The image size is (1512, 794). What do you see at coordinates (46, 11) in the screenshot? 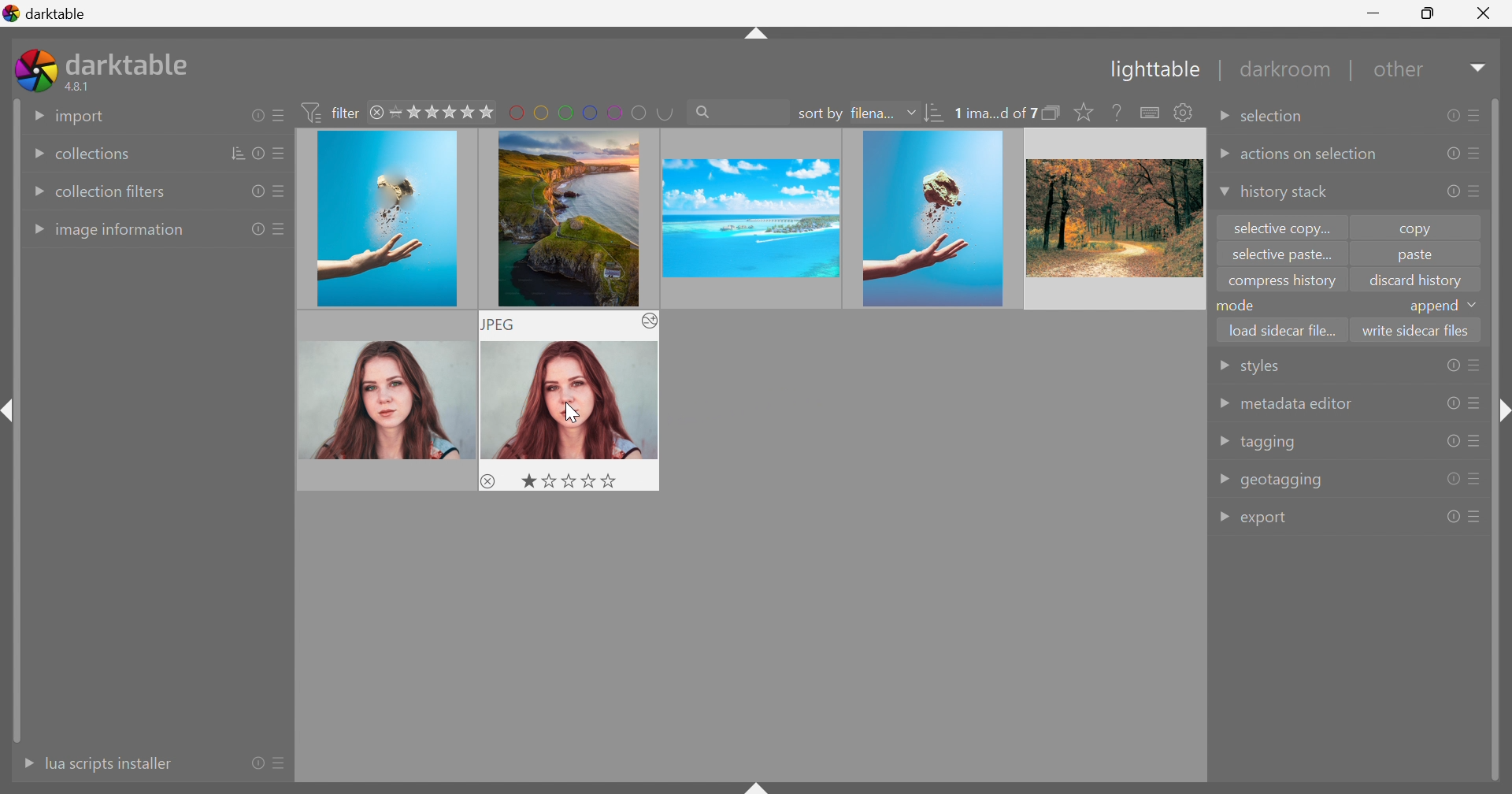
I see `darktable` at bounding box center [46, 11].